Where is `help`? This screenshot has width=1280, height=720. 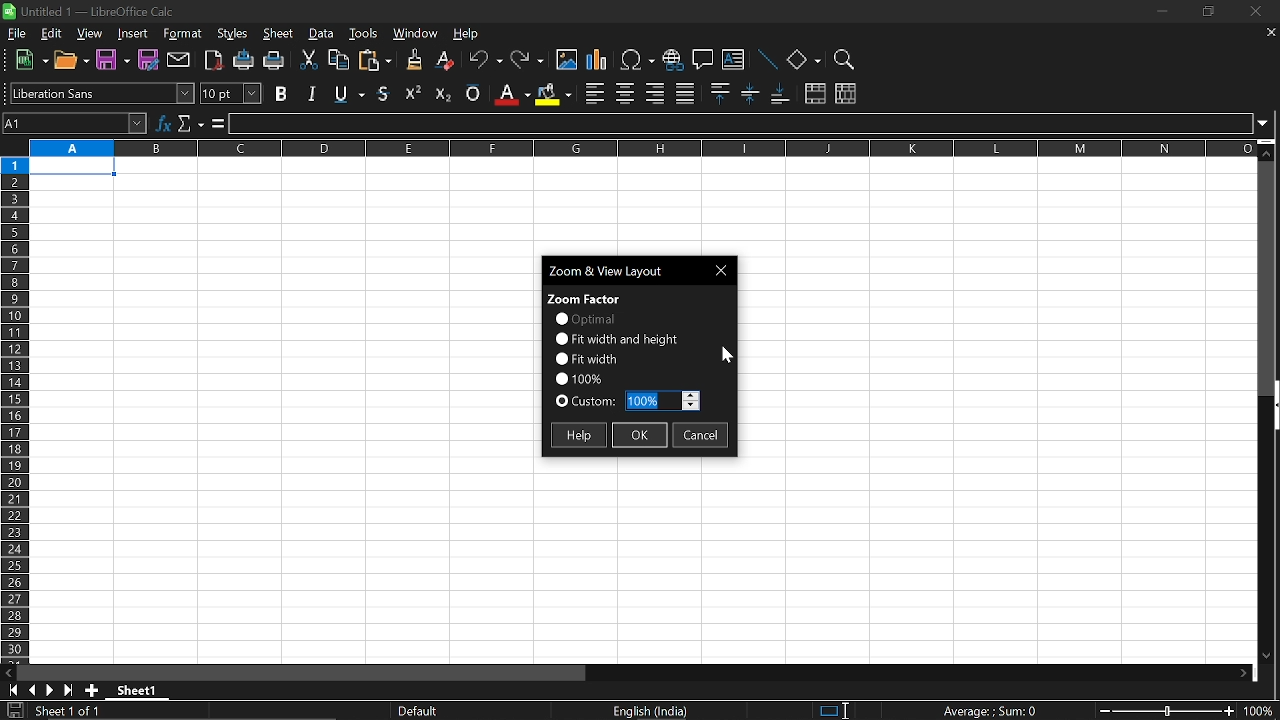
help is located at coordinates (468, 36).